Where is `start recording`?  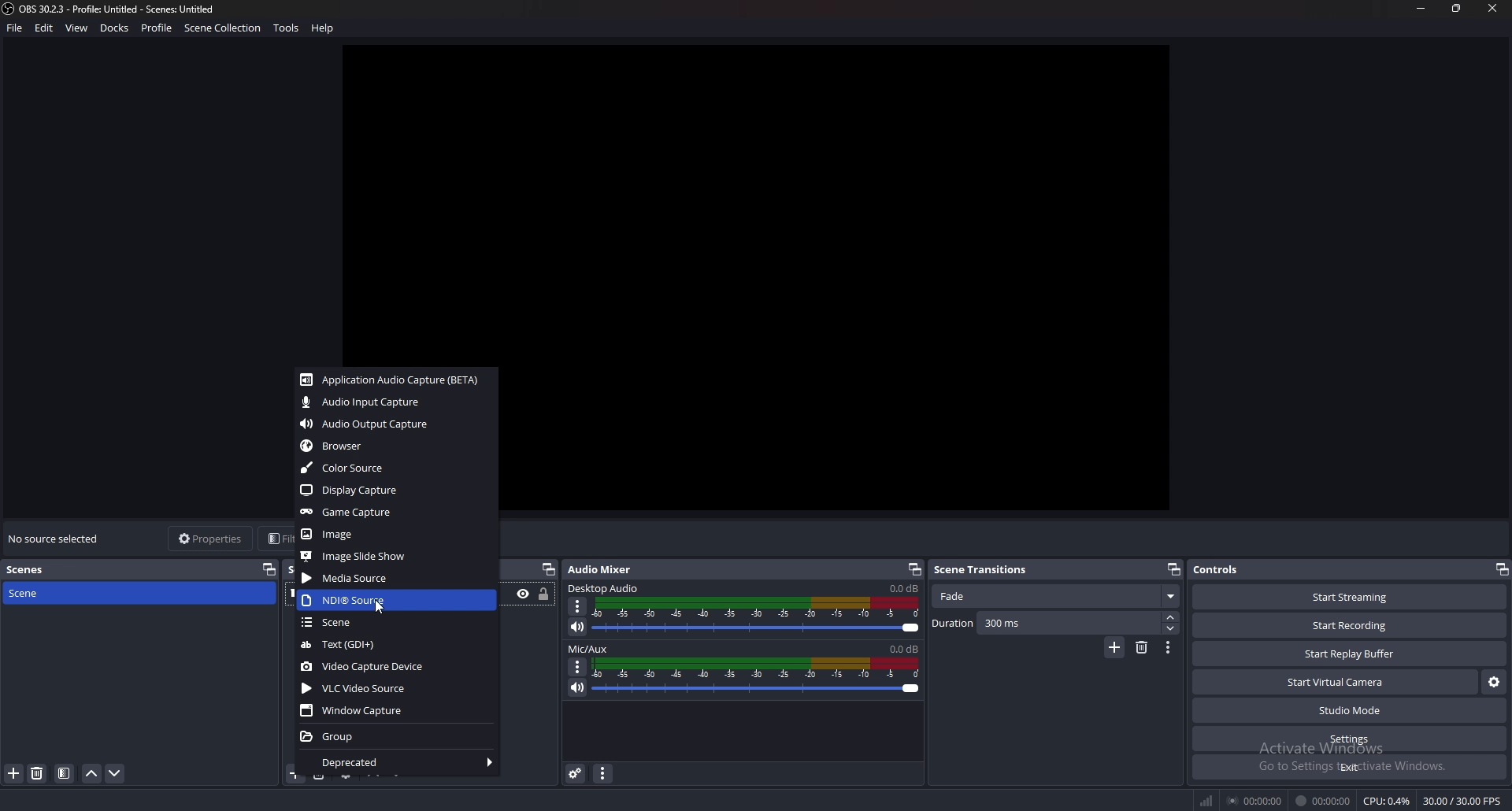 start recording is located at coordinates (1350, 625).